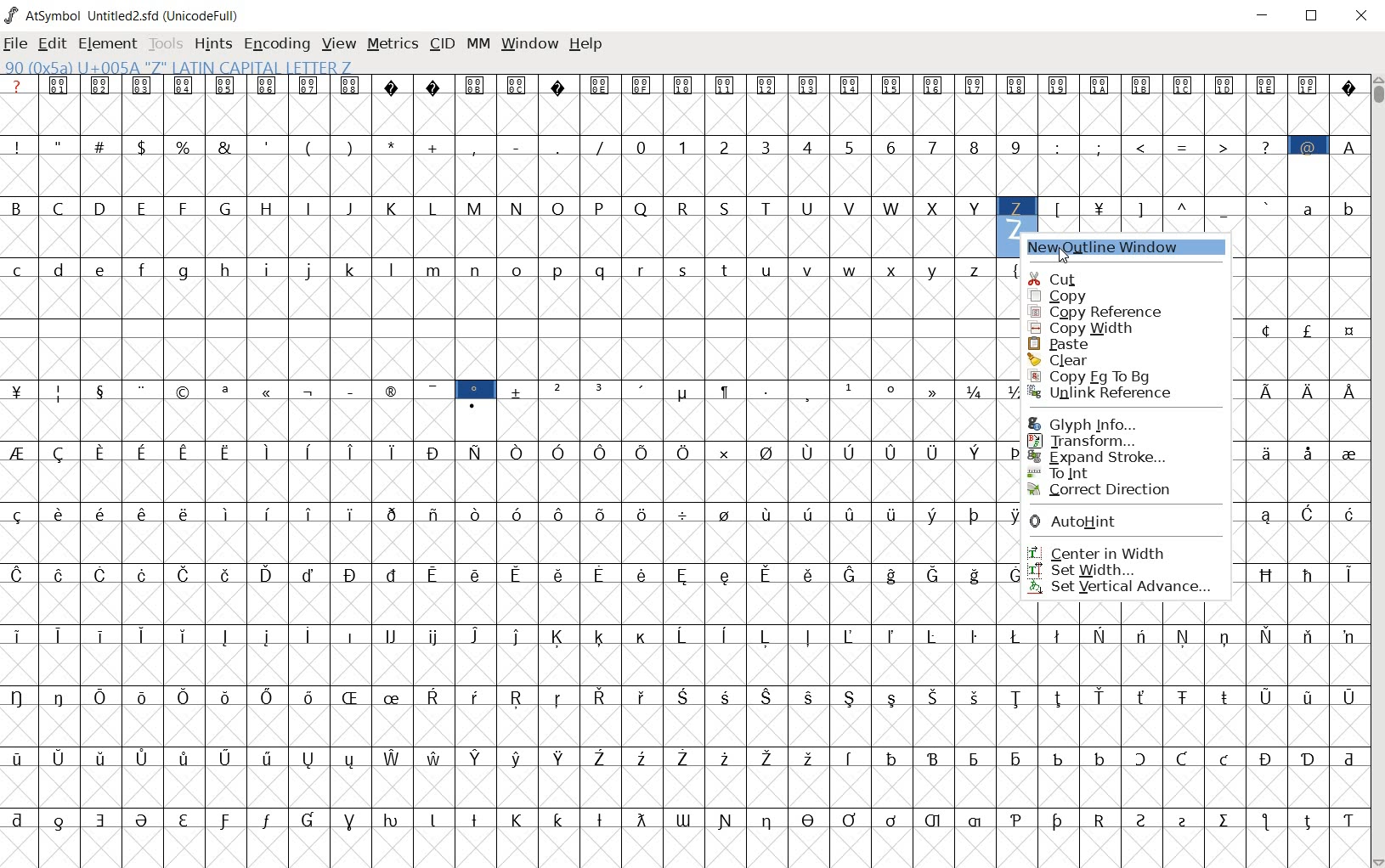 This screenshot has width=1385, height=868. What do you see at coordinates (1362, 14) in the screenshot?
I see `close` at bounding box center [1362, 14].